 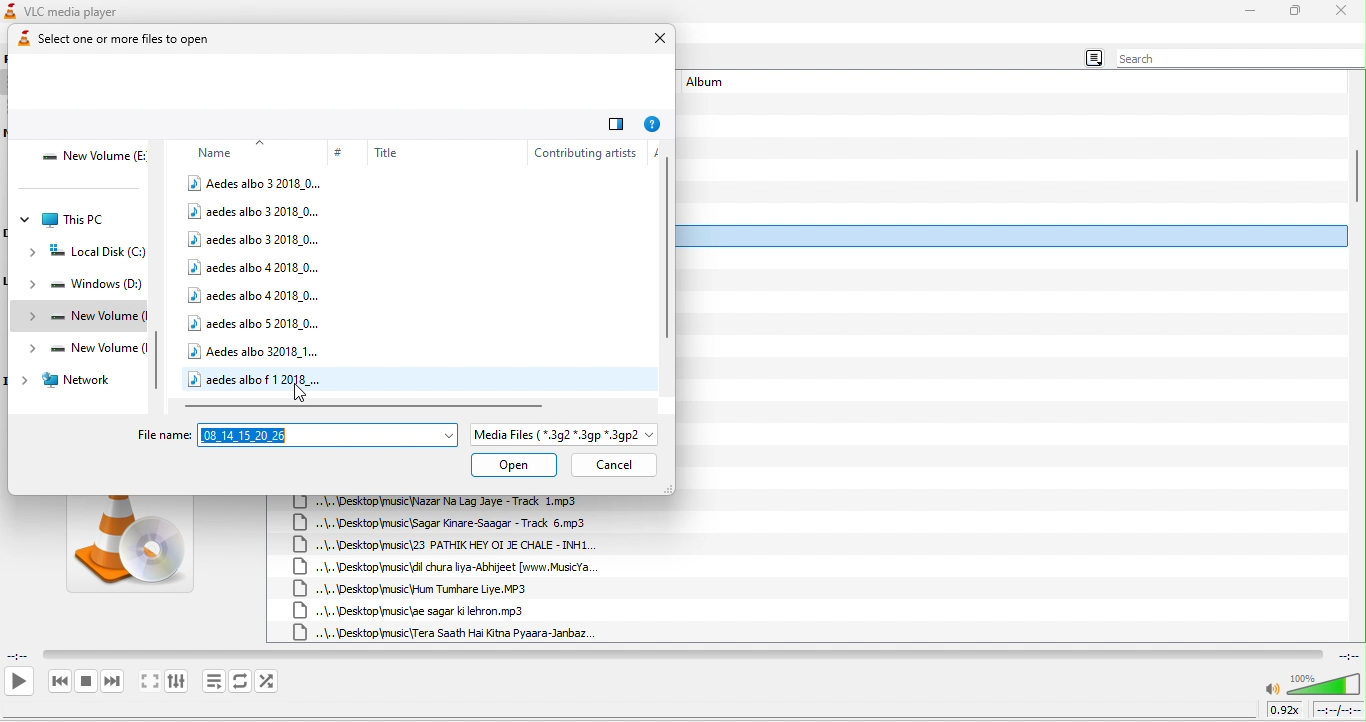 What do you see at coordinates (328, 434) in the screenshot?
I see `08 14.15 20 26 ` at bounding box center [328, 434].